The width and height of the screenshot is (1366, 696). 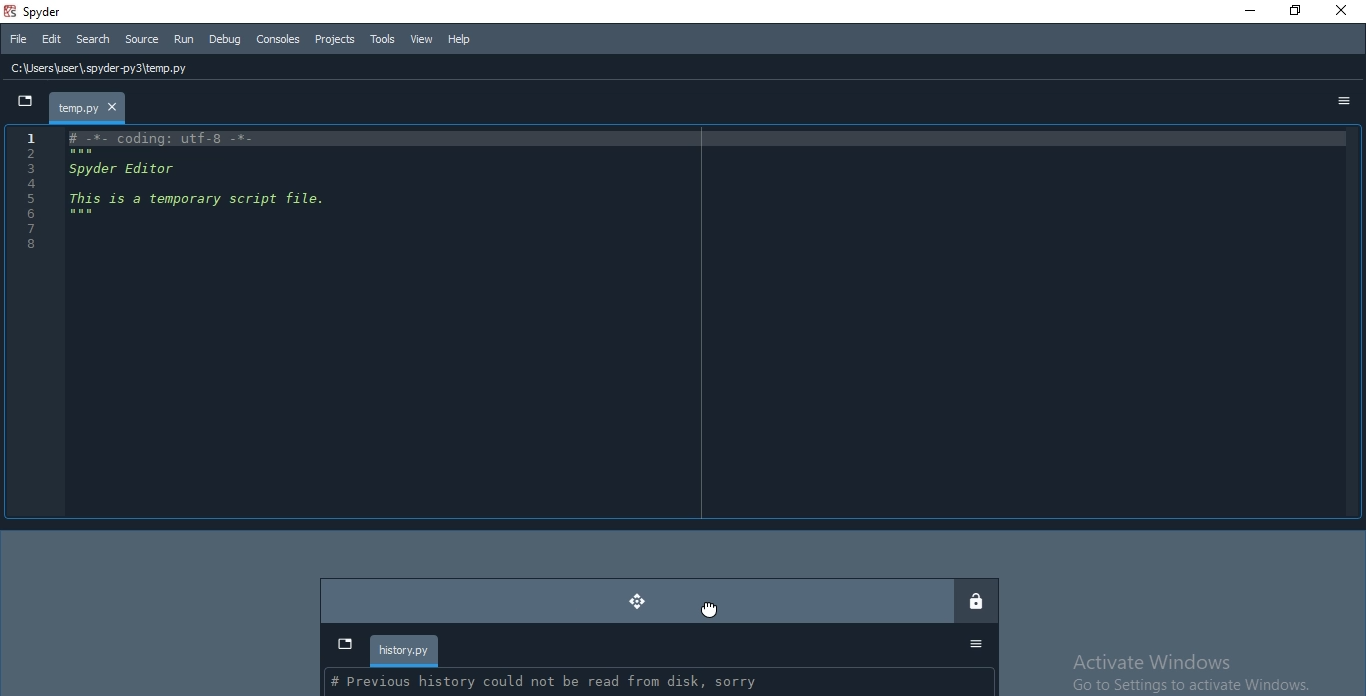 I want to click on Restore, so click(x=1294, y=12).